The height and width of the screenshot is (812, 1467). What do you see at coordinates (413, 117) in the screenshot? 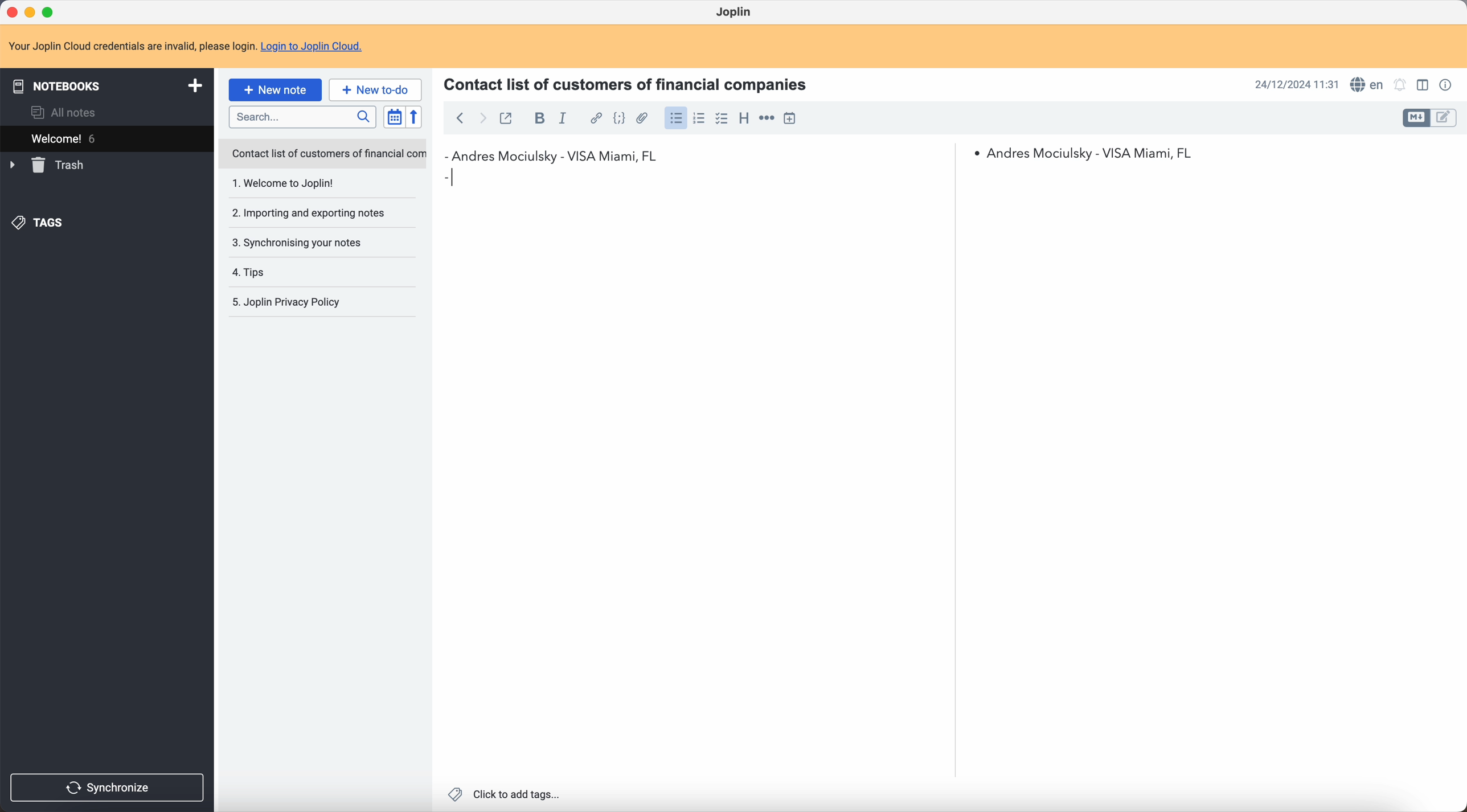
I see `reverse sort order` at bounding box center [413, 117].